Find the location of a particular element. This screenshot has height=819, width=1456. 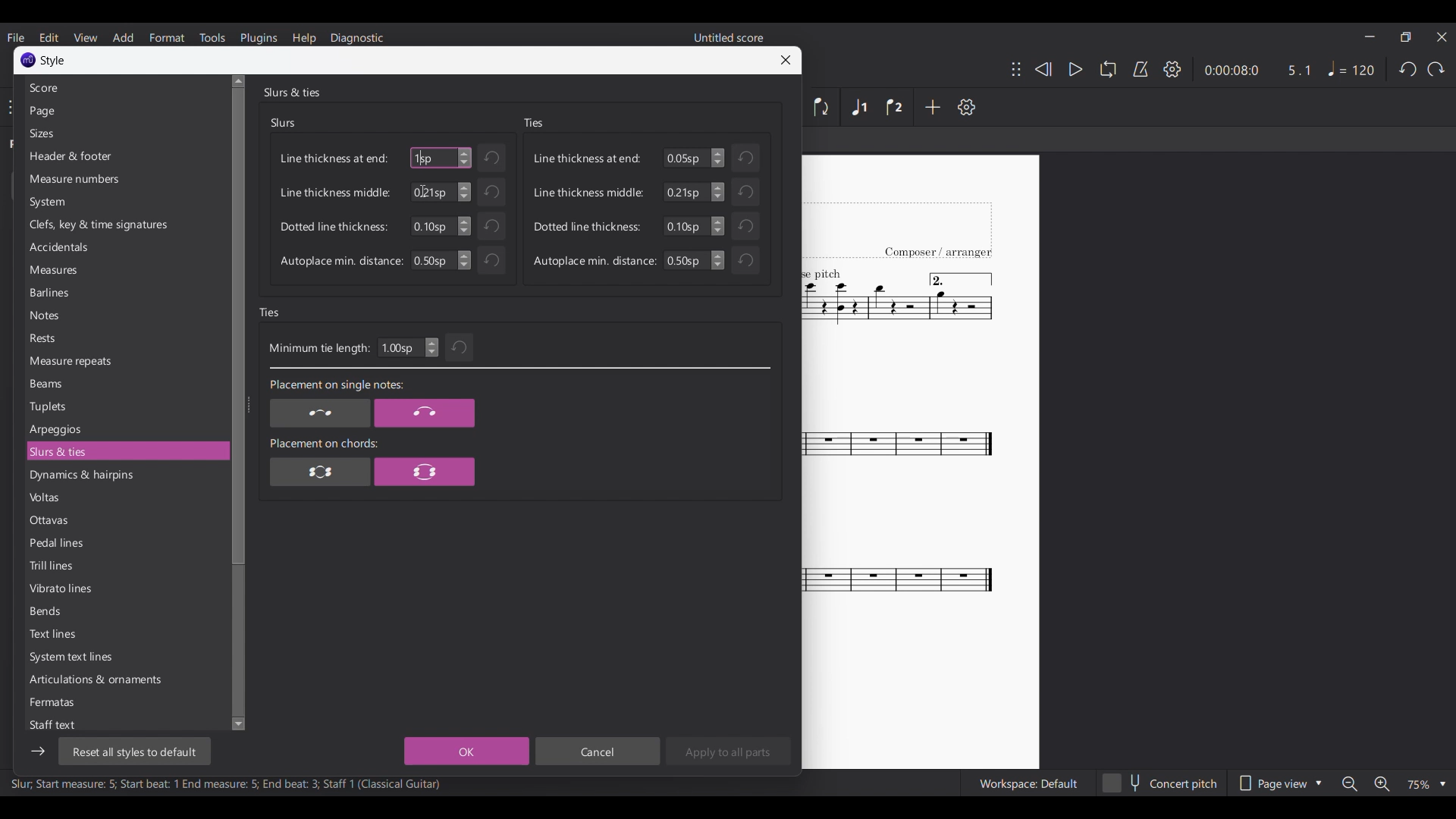

Reset all styles to default is located at coordinates (133, 752).